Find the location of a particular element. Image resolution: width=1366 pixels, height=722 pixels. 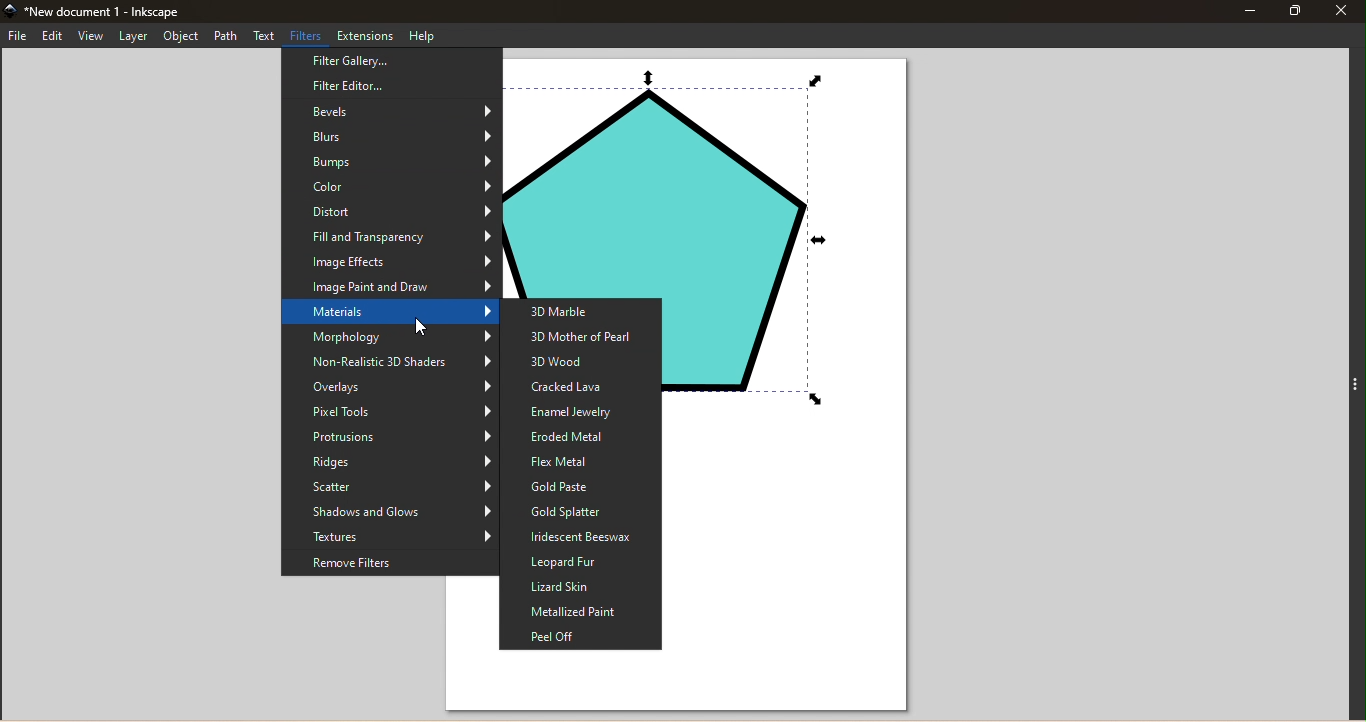

Extensions is located at coordinates (366, 35).